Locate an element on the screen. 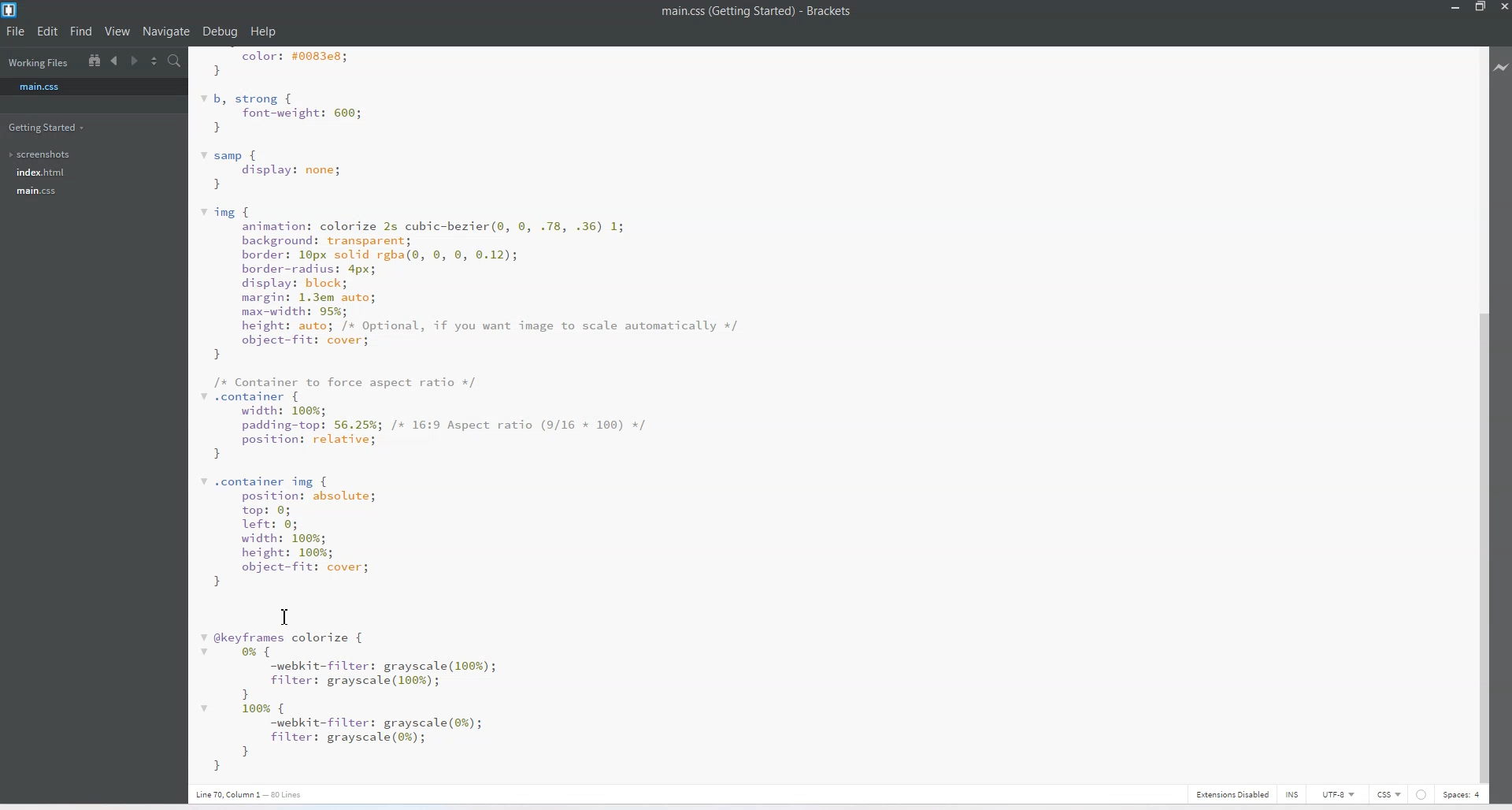 The height and width of the screenshot is (810, 1512). Find in files is located at coordinates (176, 61).